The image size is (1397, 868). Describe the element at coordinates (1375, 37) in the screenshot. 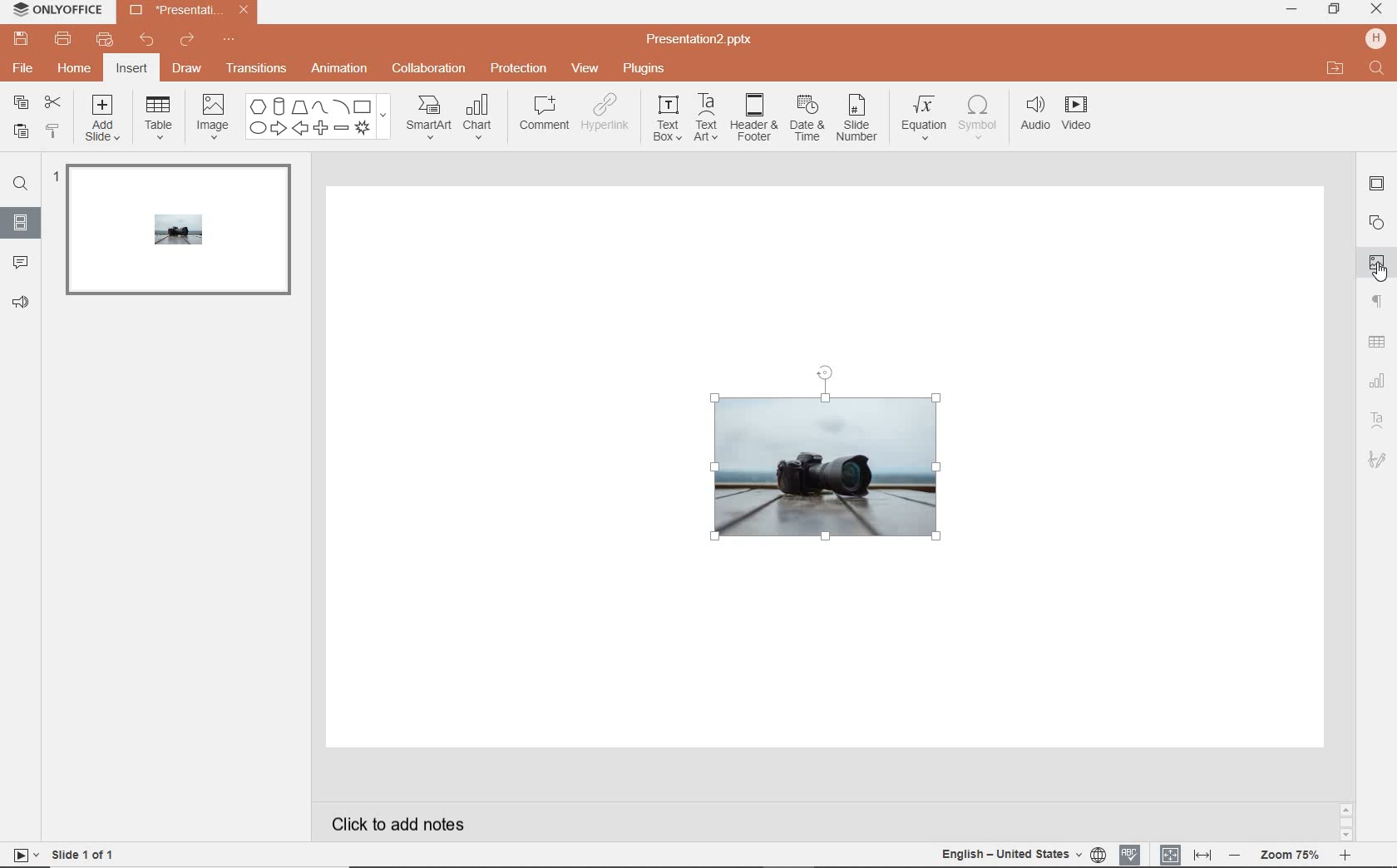

I see `hp` at that location.